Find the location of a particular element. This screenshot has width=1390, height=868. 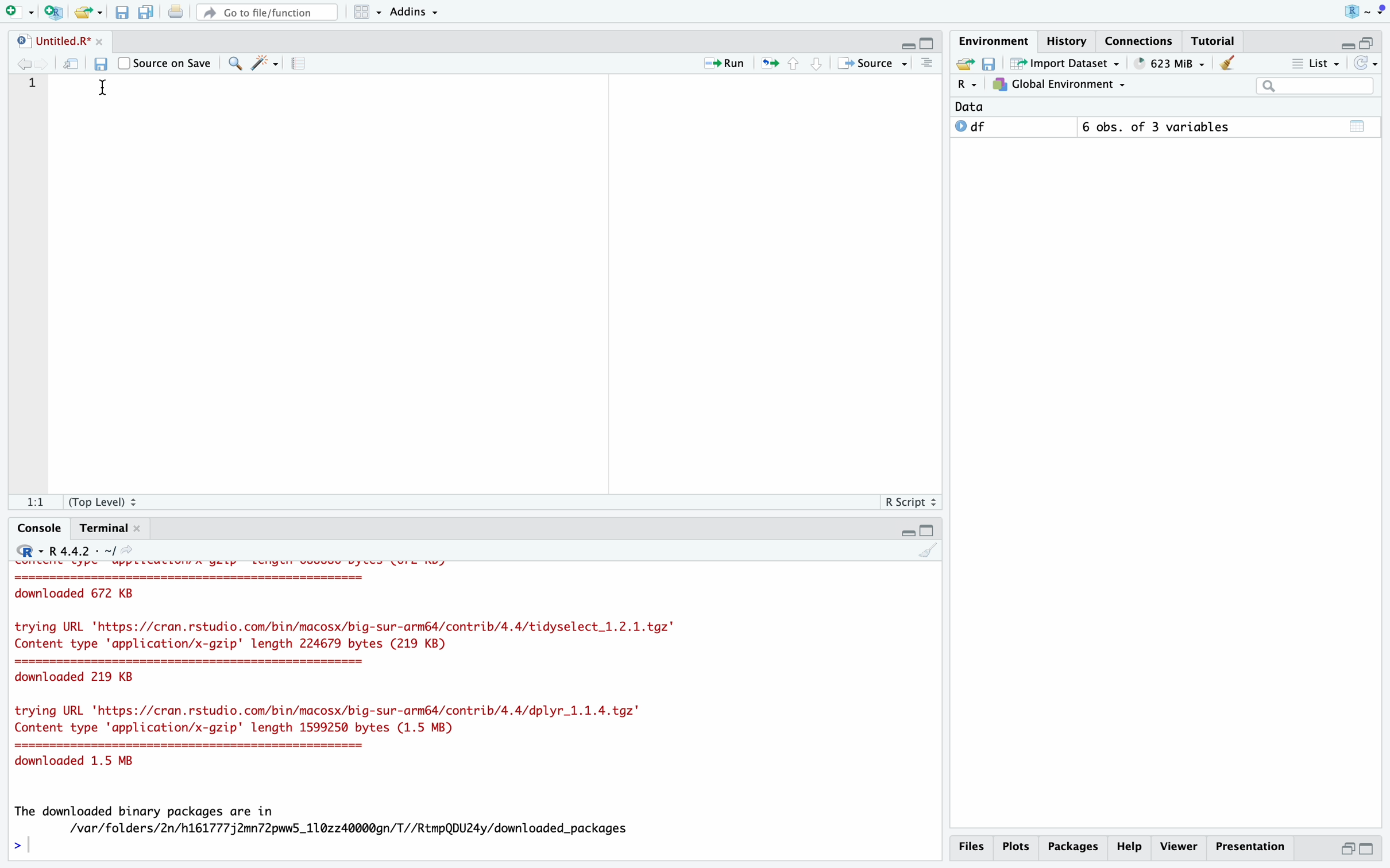

Files is located at coordinates (974, 847).